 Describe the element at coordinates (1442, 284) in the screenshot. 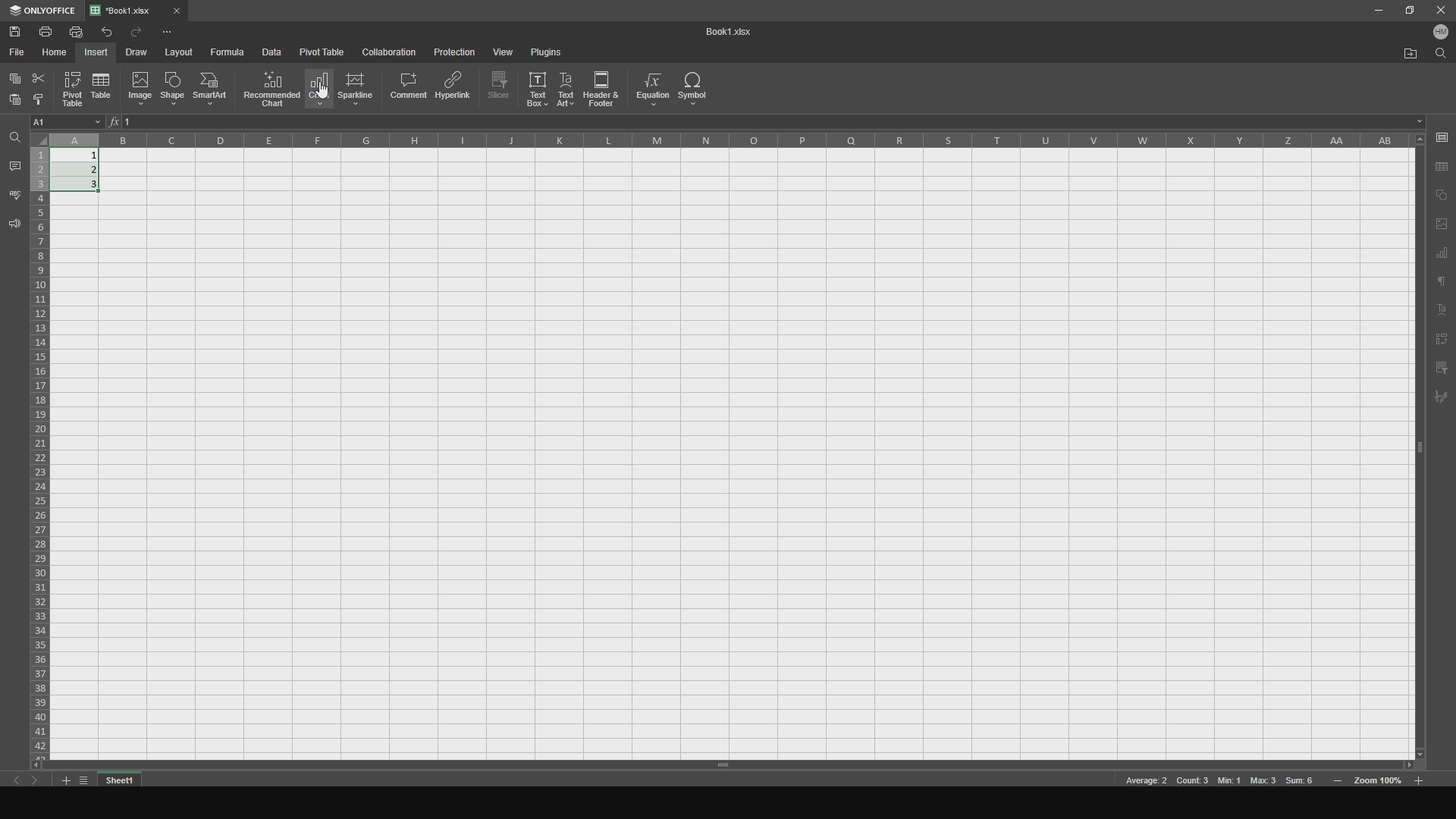

I see `text` at that location.